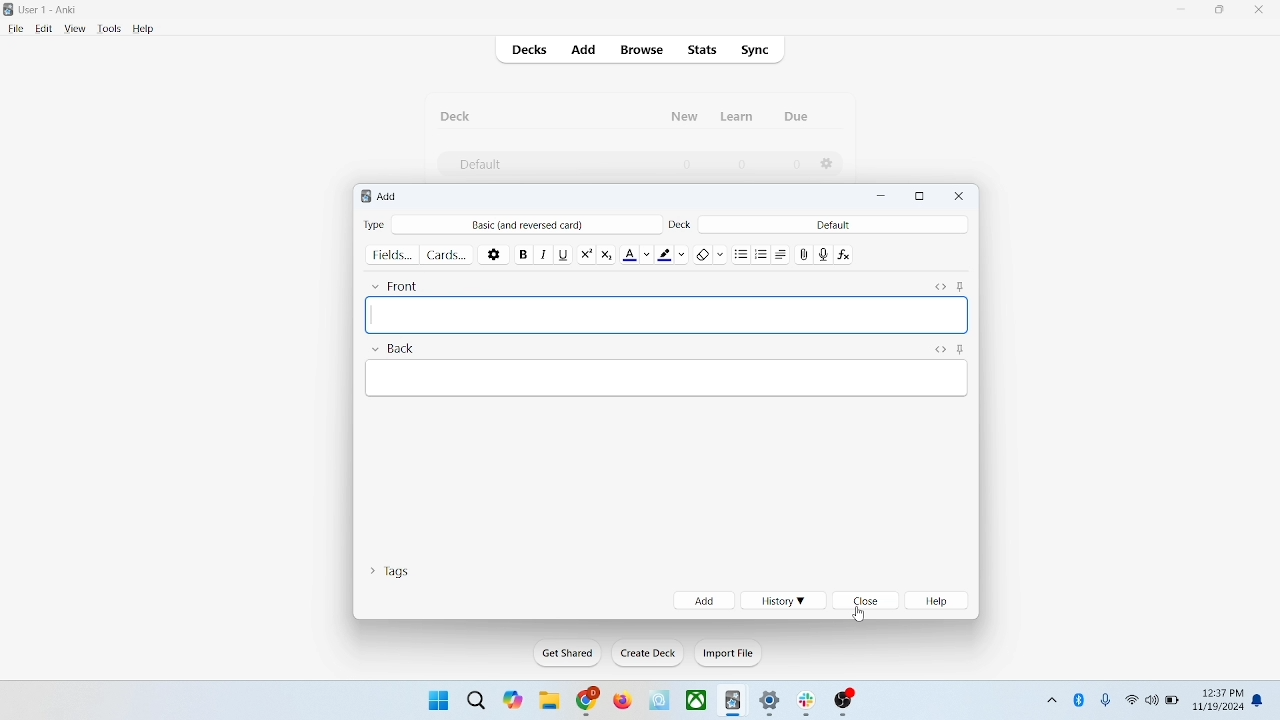  What do you see at coordinates (640, 49) in the screenshot?
I see `browse` at bounding box center [640, 49].